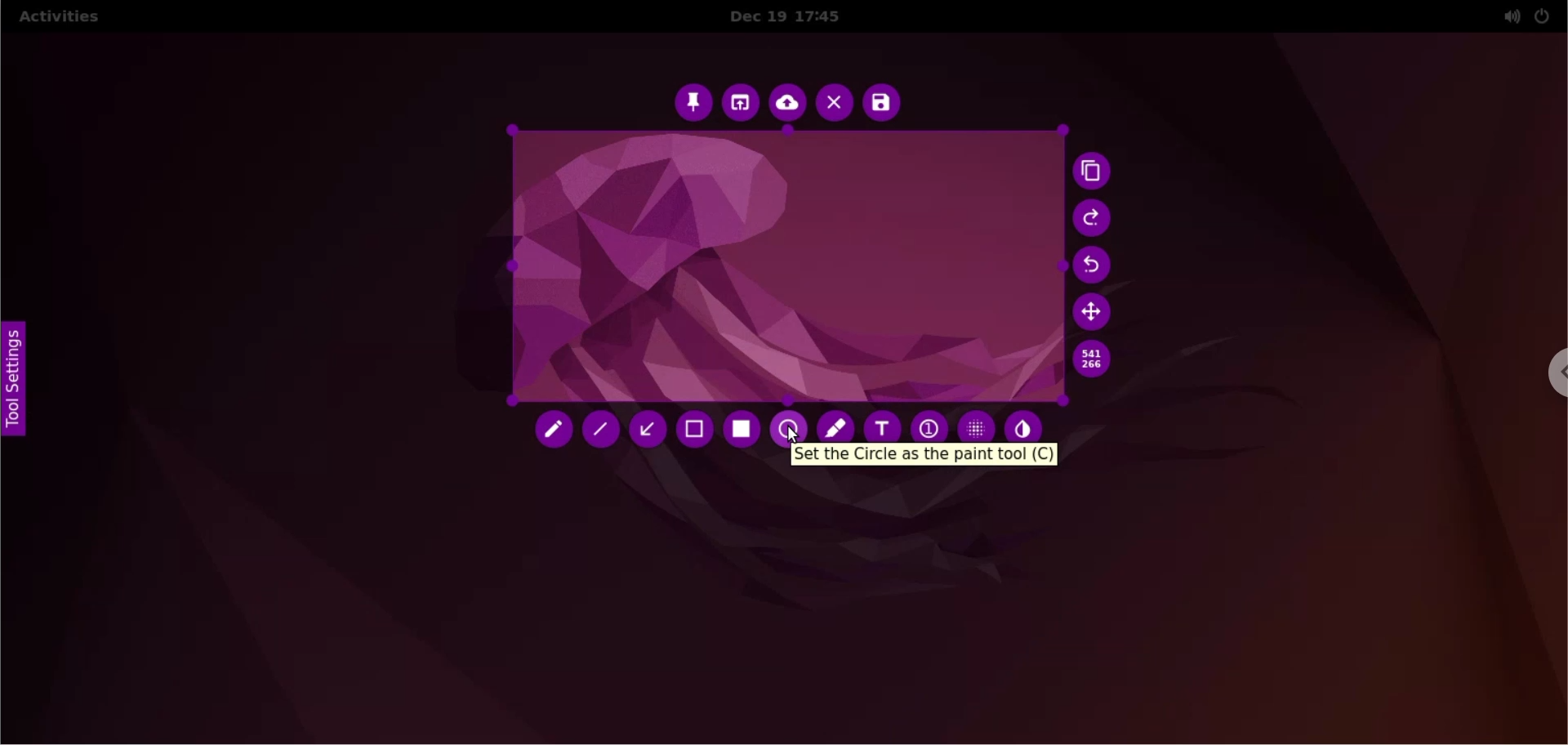 The height and width of the screenshot is (745, 1568). Describe the element at coordinates (924, 454) in the screenshot. I see `set the circle as the paint tool` at that location.